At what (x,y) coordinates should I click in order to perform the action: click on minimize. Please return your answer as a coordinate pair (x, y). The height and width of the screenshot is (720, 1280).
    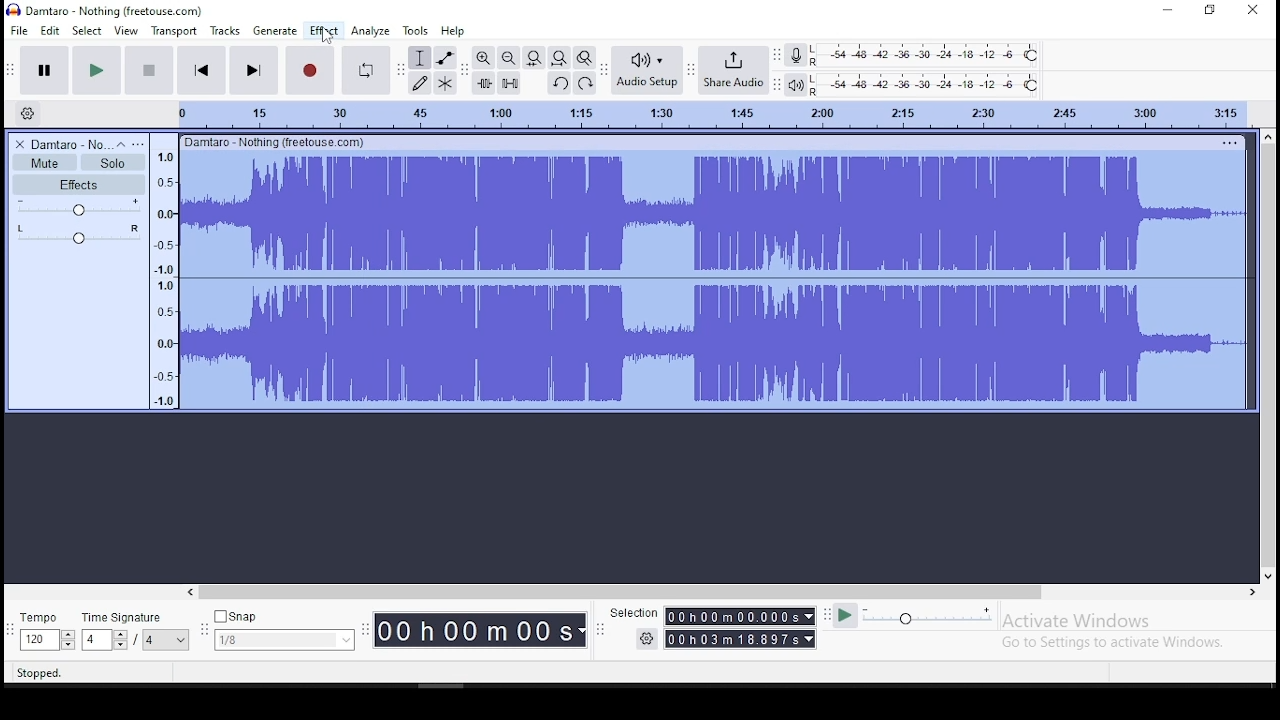
    Looking at the image, I should click on (1168, 10).